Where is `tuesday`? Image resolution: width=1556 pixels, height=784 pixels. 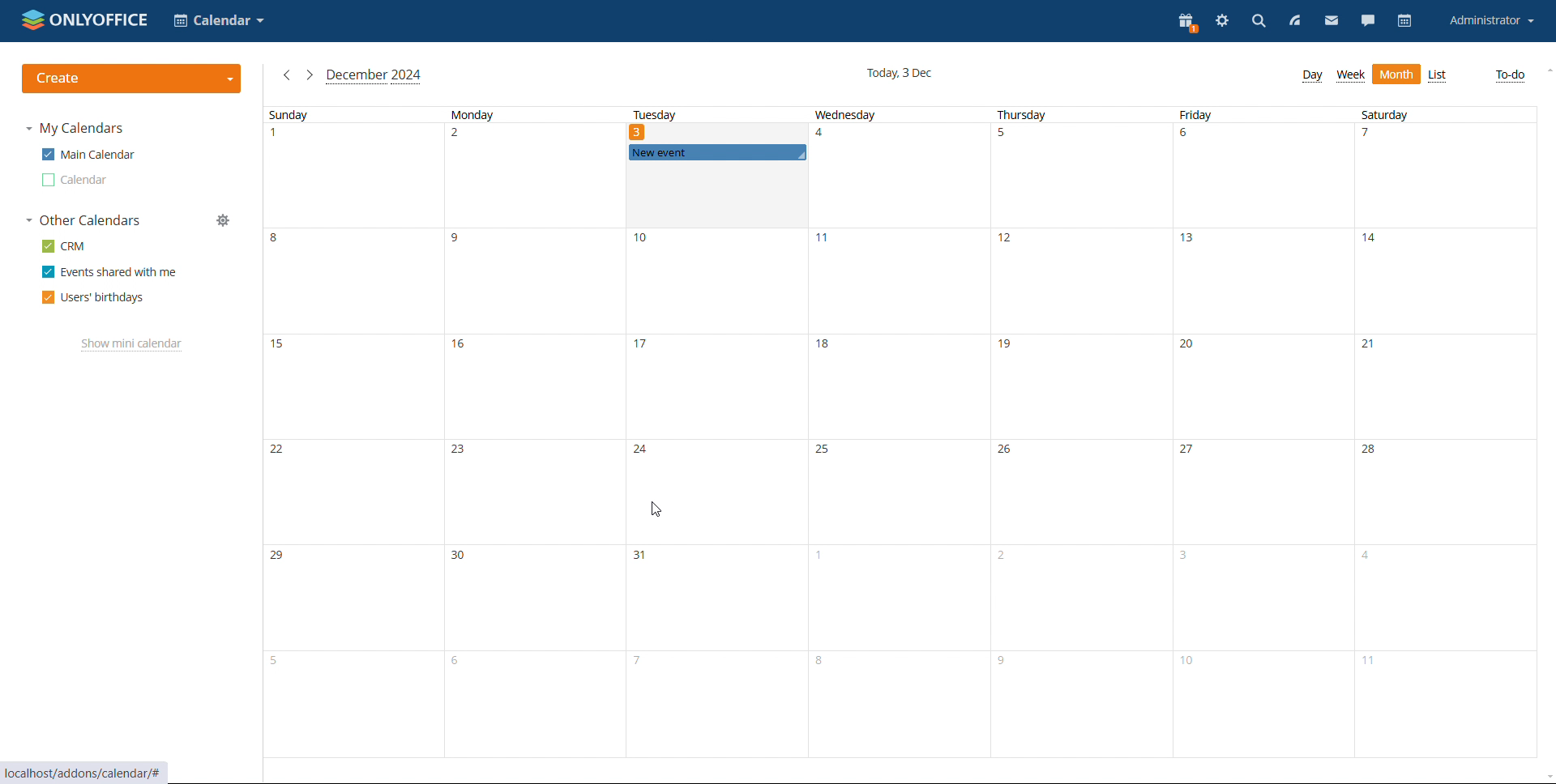 tuesday is located at coordinates (695, 114).